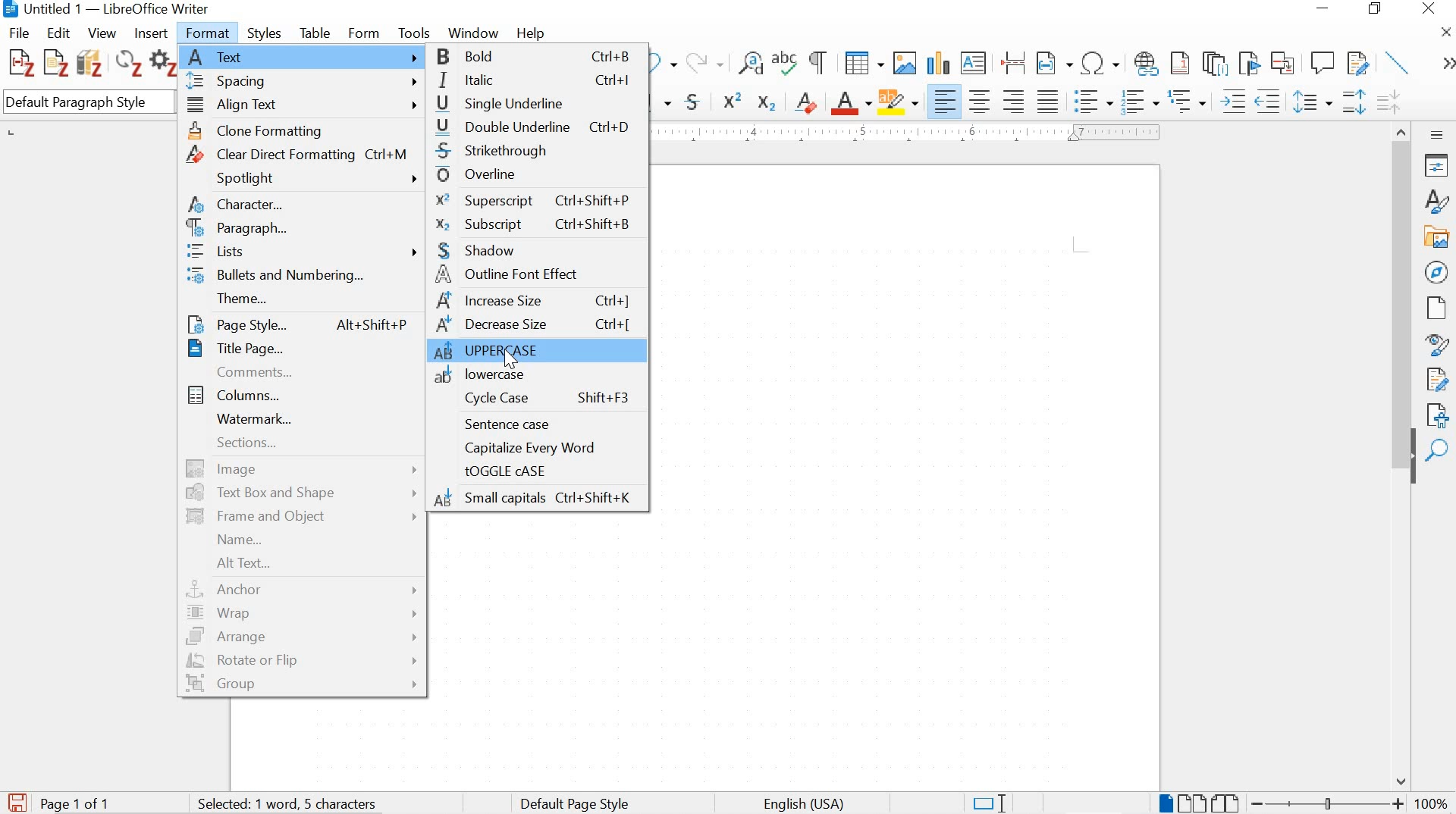 The width and height of the screenshot is (1456, 814). Describe the element at coordinates (786, 65) in the screenshot. I see `check spelling` at that location.